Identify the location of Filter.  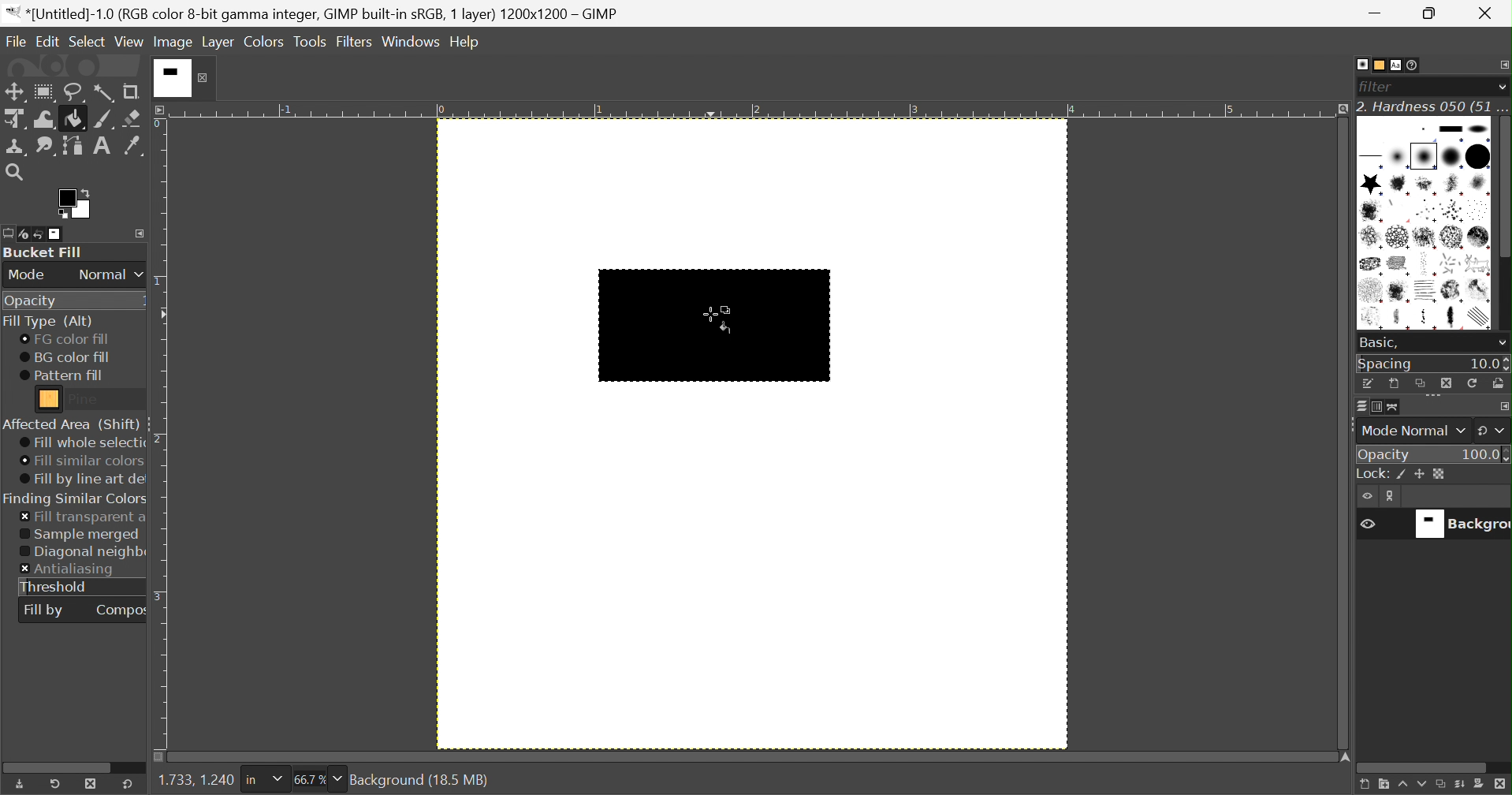
(1380, 87).